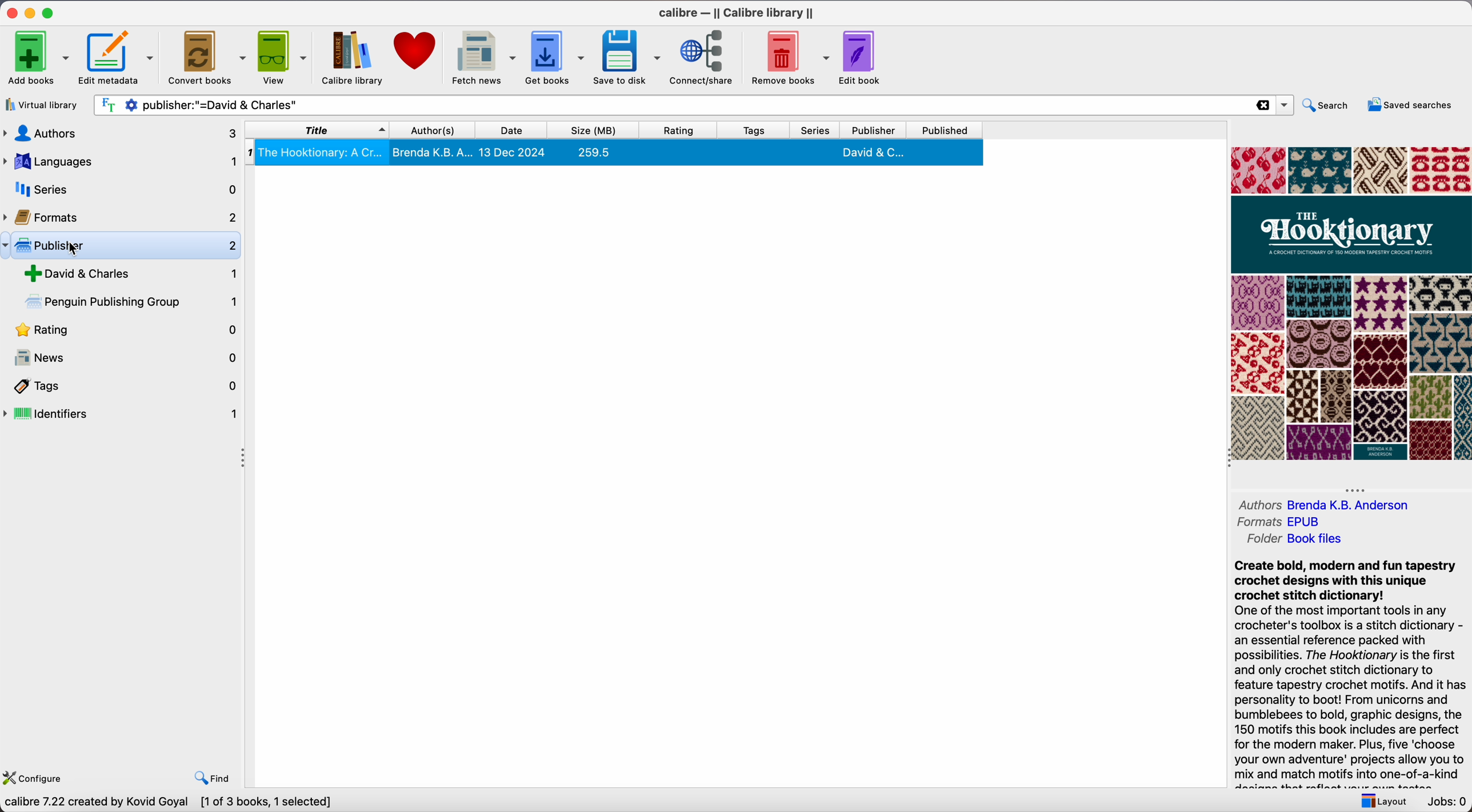  What do you see at coordinates (207, 56) in the screenshot?
I see `convert books` at bounding box center [207, 56].